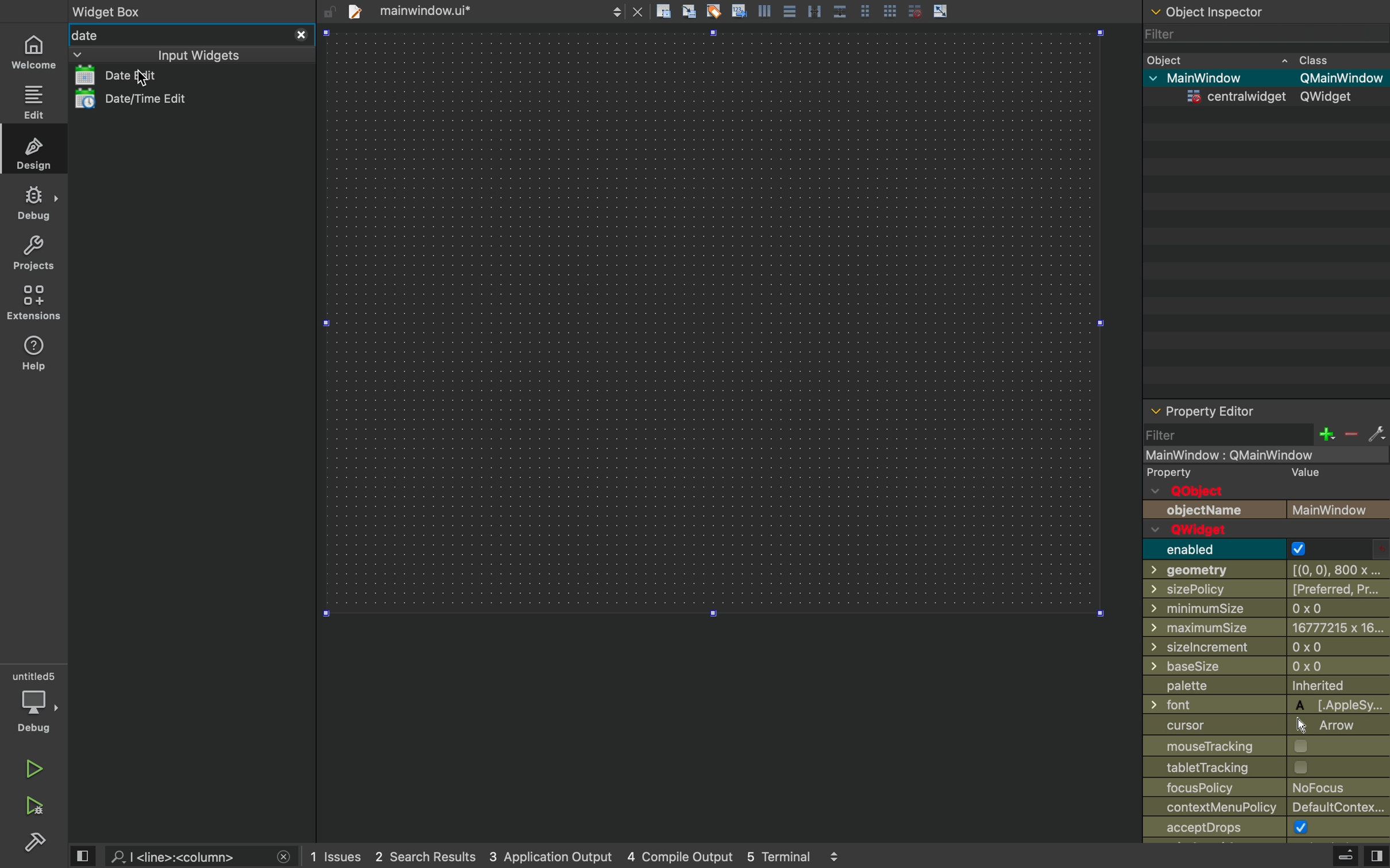  I want to click on edit, so click(33, 102).